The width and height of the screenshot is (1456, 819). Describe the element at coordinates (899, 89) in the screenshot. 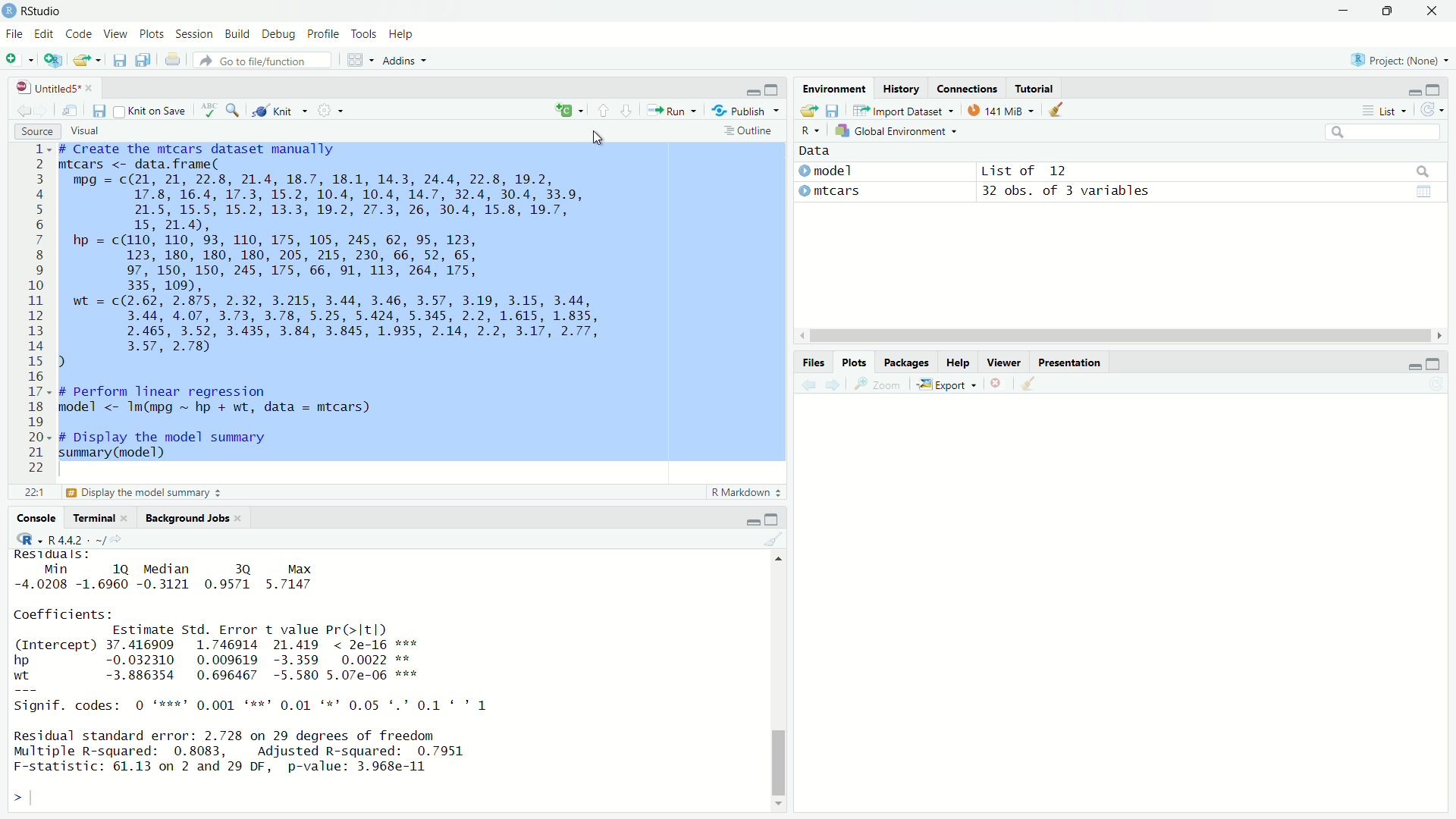

I see `History` at that location.